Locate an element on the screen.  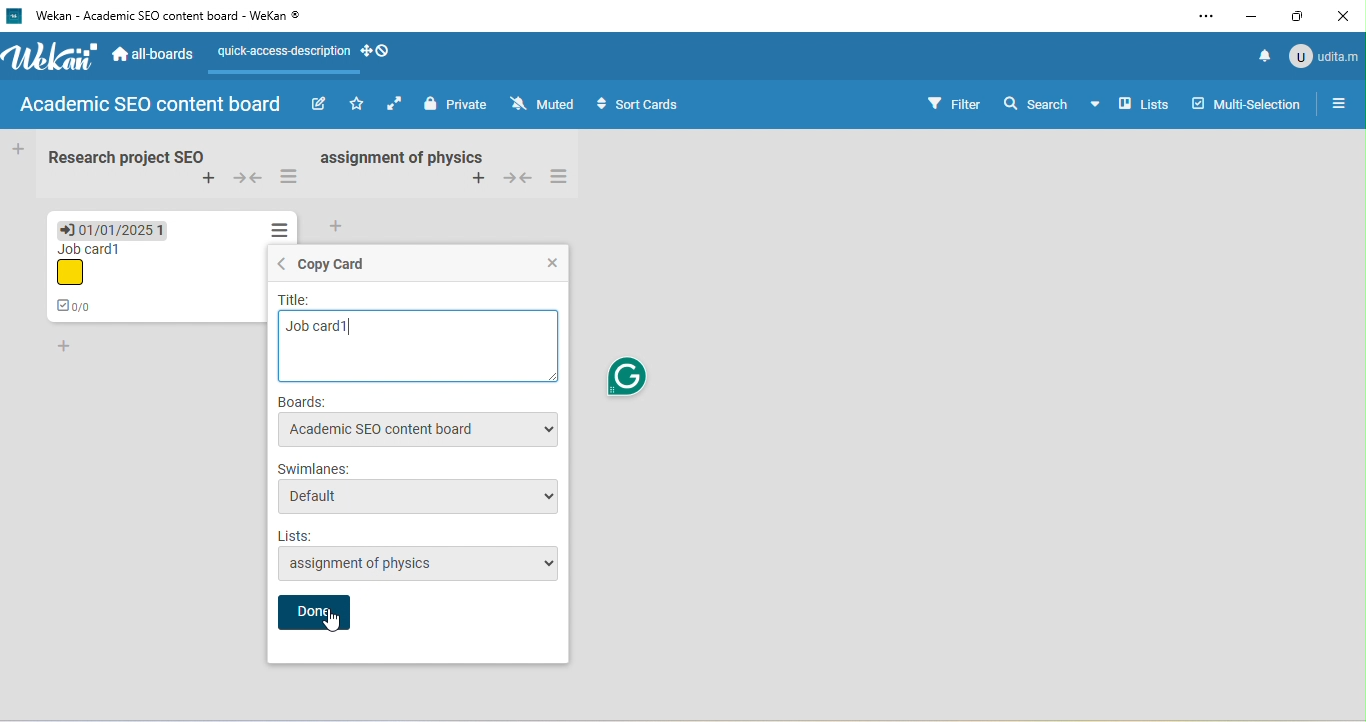
action is located at coordinates (272, 226).